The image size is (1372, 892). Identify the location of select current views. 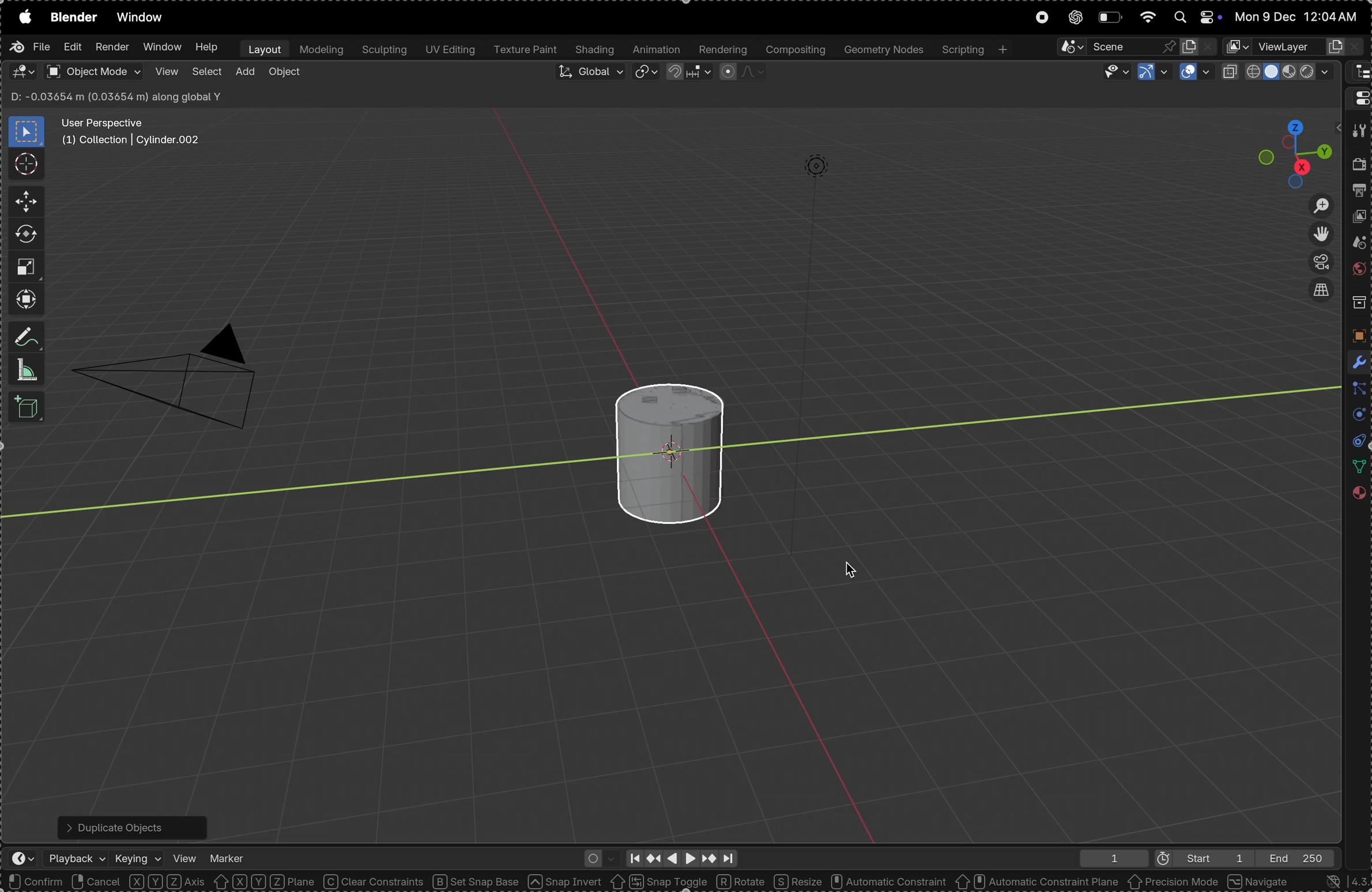
(1320, 294).